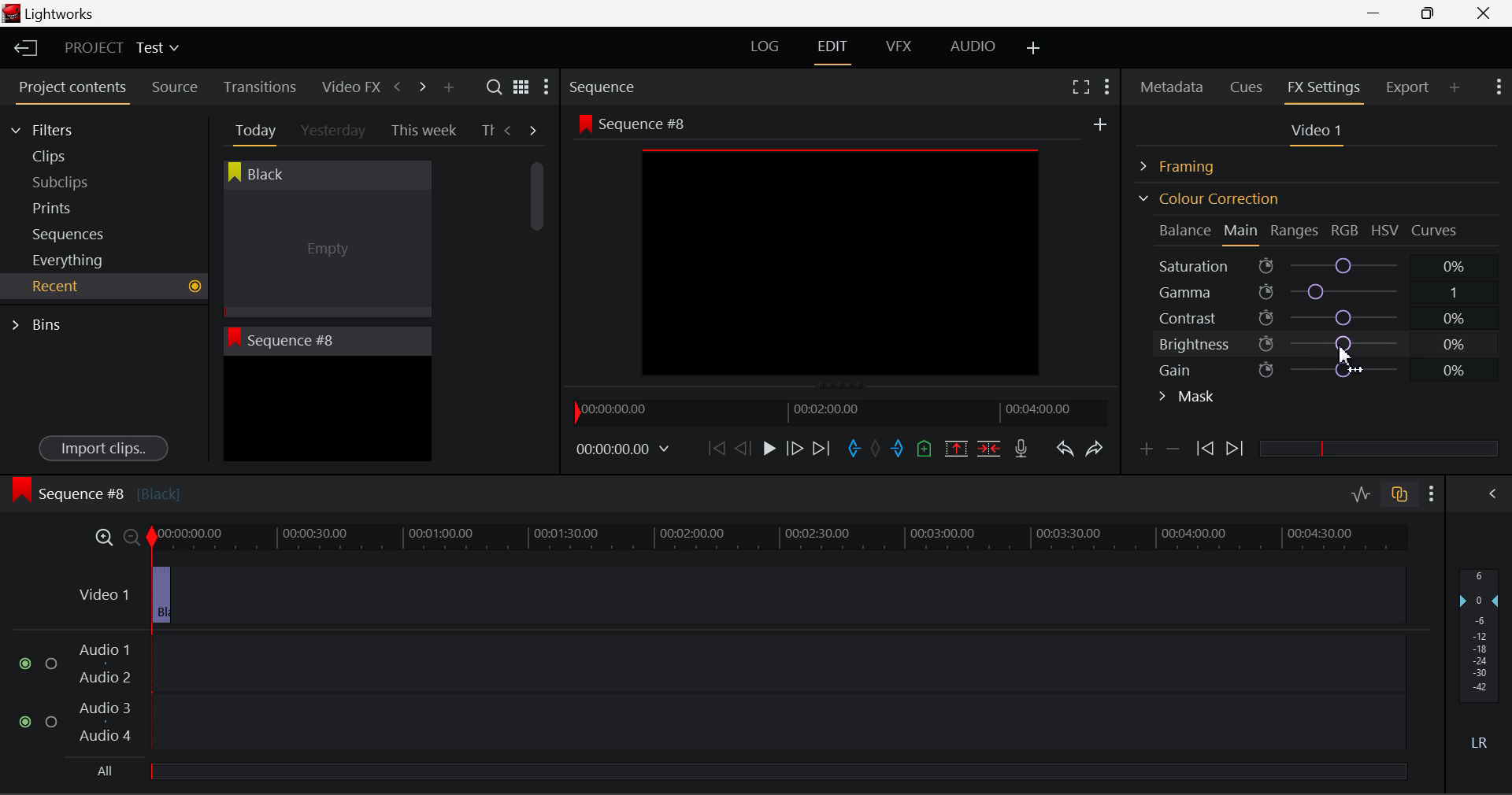 The height and width of the screenshot is (795, 1512). What do you see at coordinates (1385, 230) in the screenshot?
I see `HSV` at bounding box center [1385, 230].